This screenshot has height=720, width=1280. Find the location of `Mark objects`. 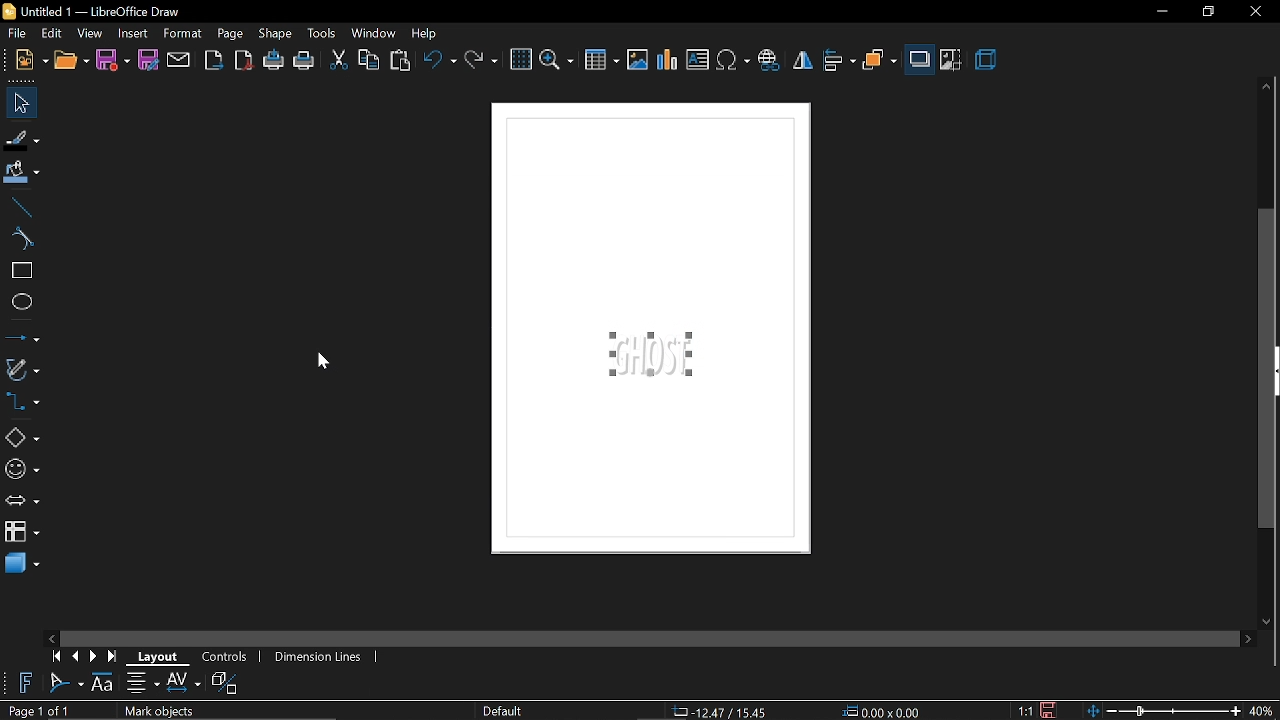

Mark objects is located at coordinates (162, 710).